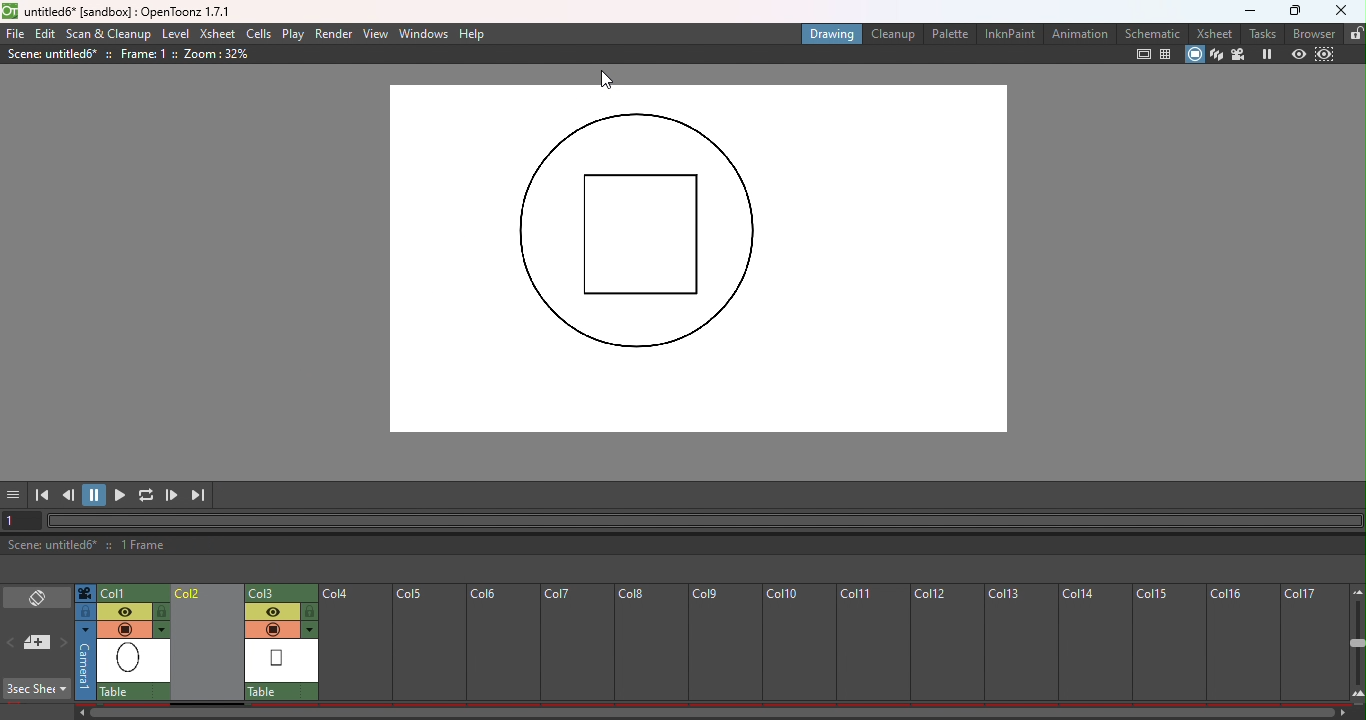 This screenshot has height=720, width=1366. What do you see at coordinates (1356, 590) in the screenshot?
I see `Zoom out` at bounding box center [1356, 590].